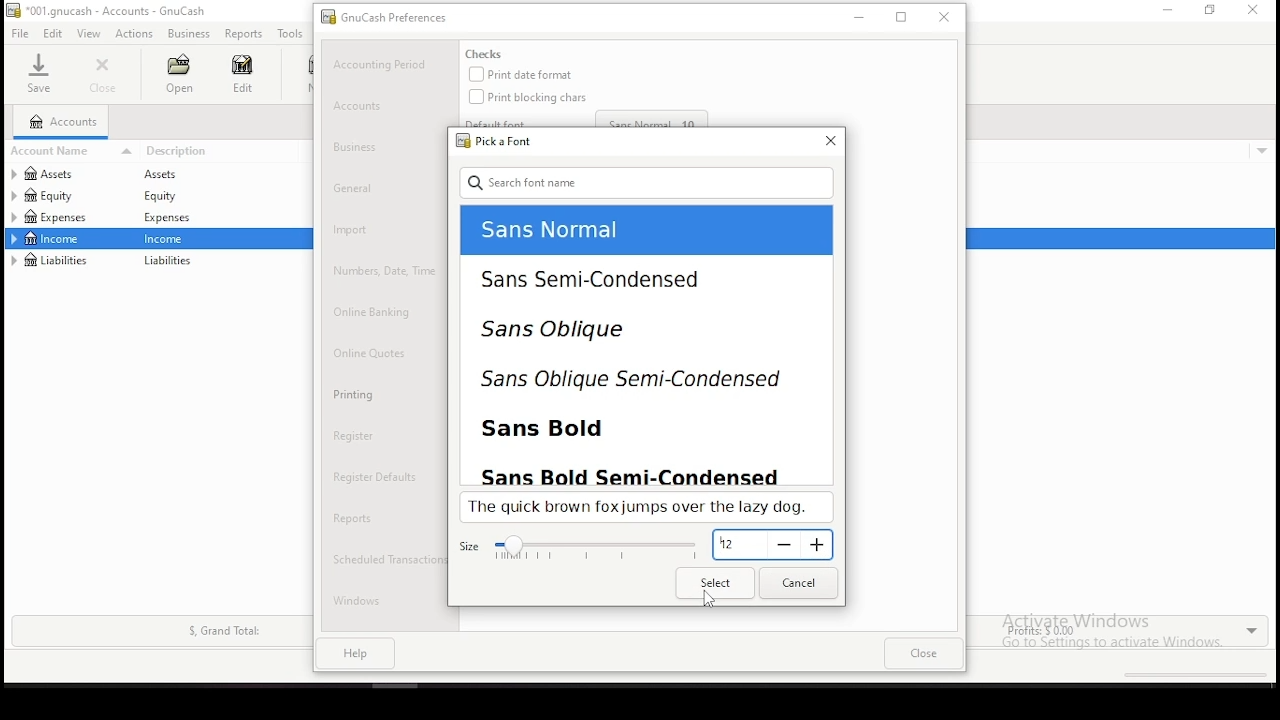 Image resolution: width=1280 pixels, height=720 pixels. Describe the element at coordinates (596, 279) in the screenshot. I see `sans semi-condensed` at that location.